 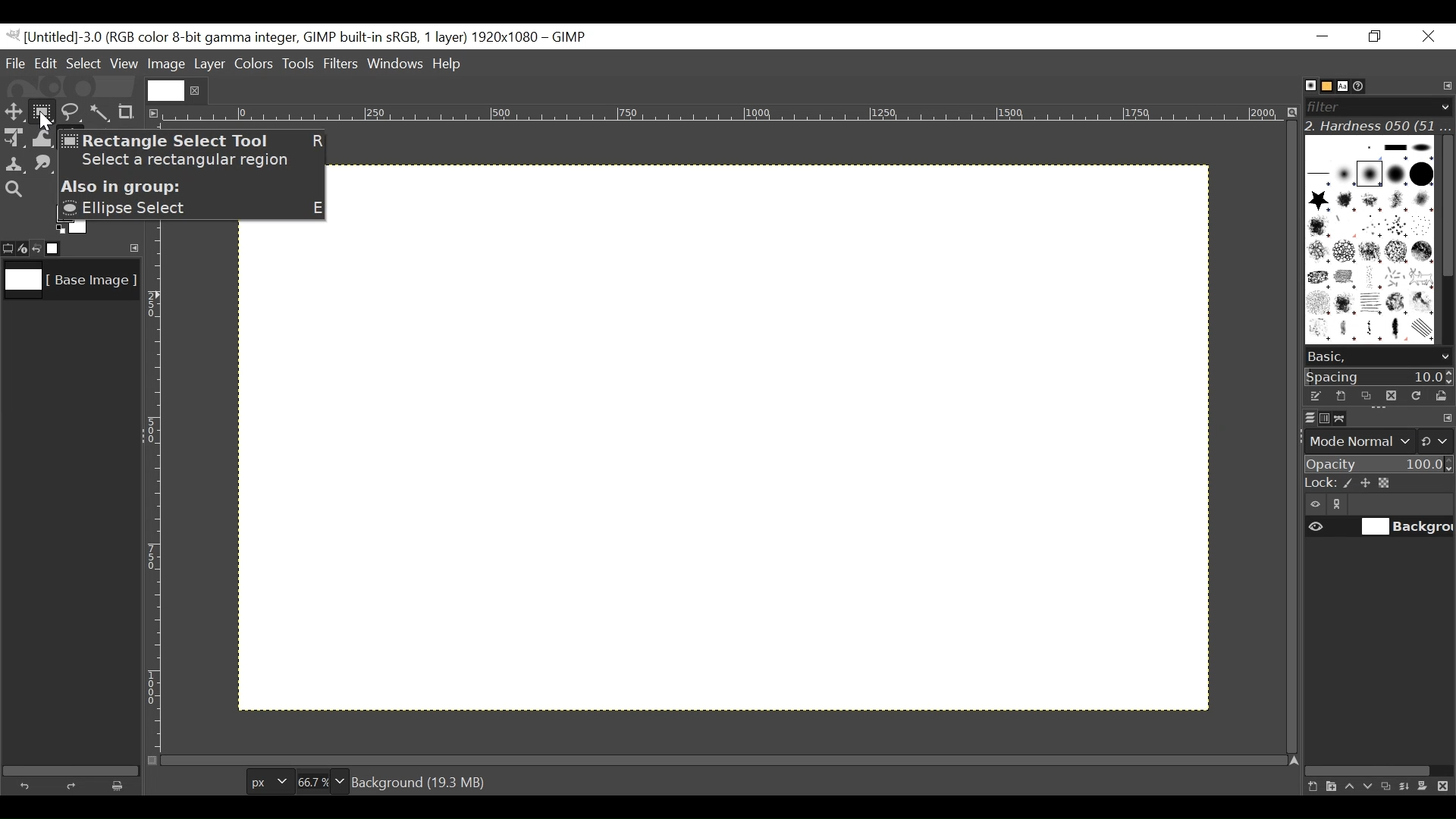 I want to click on Delete this layer, so click(x=1446, y=787).